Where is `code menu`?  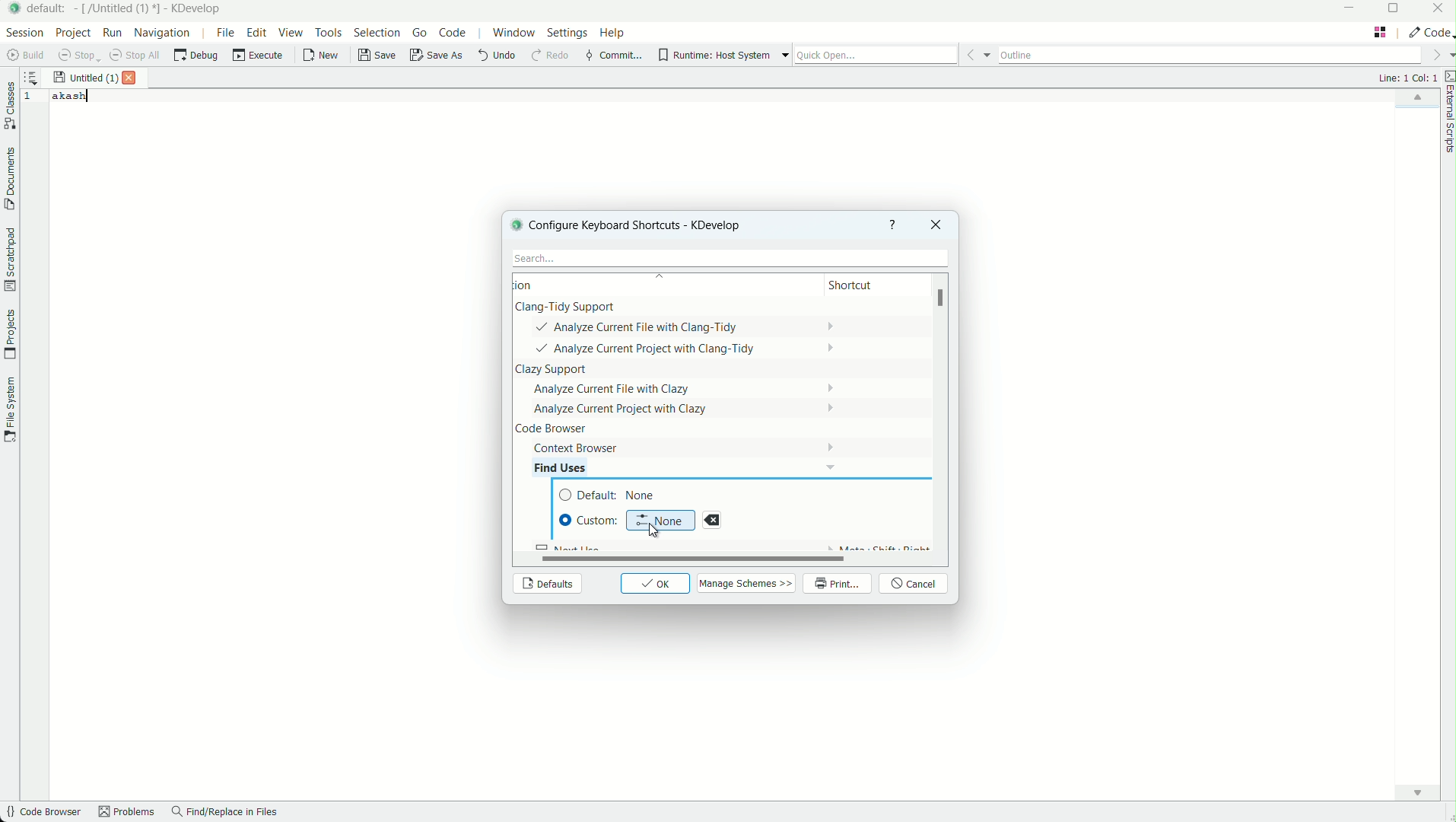
code menu is located at coordinates (453, 33).